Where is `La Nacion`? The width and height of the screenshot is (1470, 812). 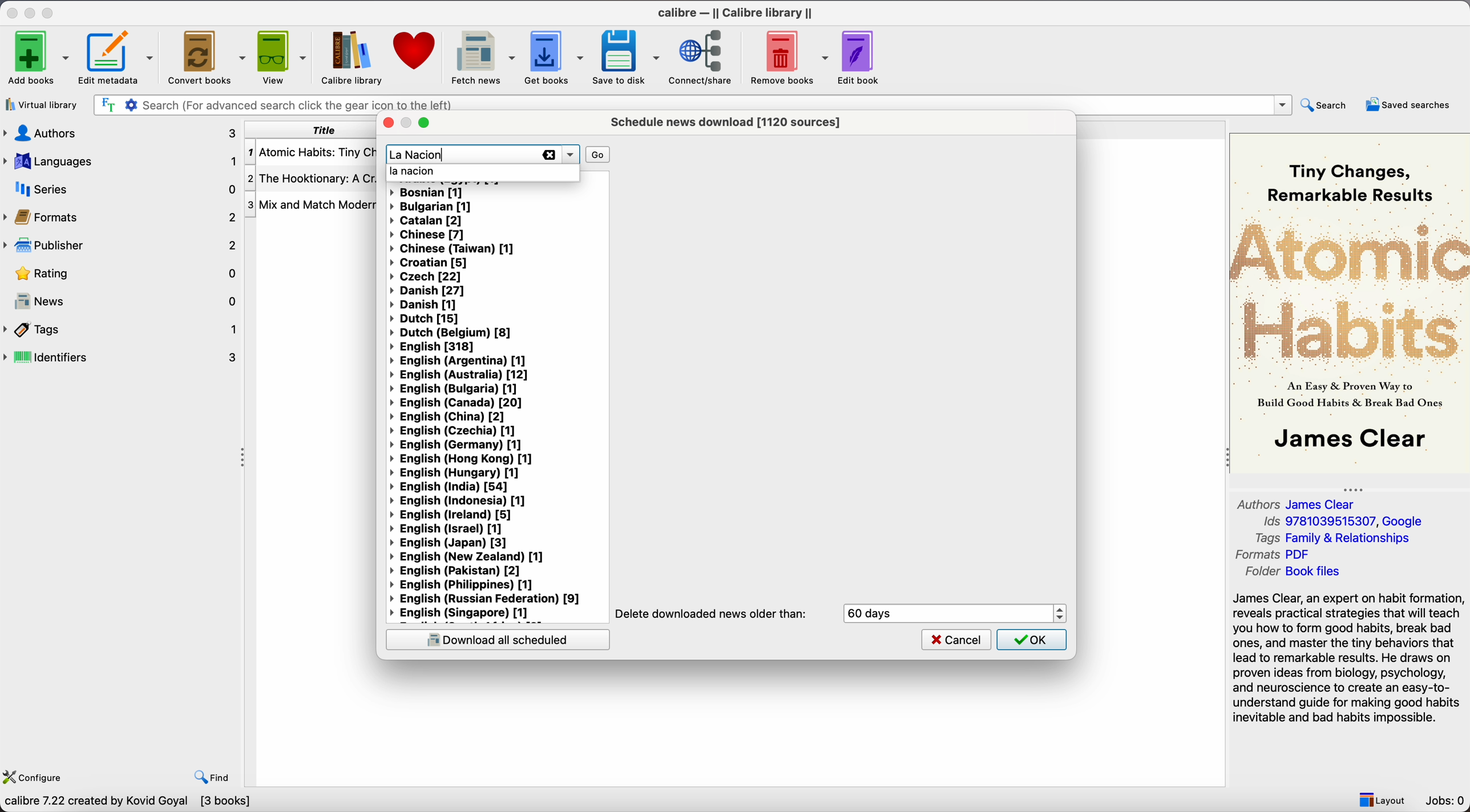
La Nacion is located at coordinates (418, 154).